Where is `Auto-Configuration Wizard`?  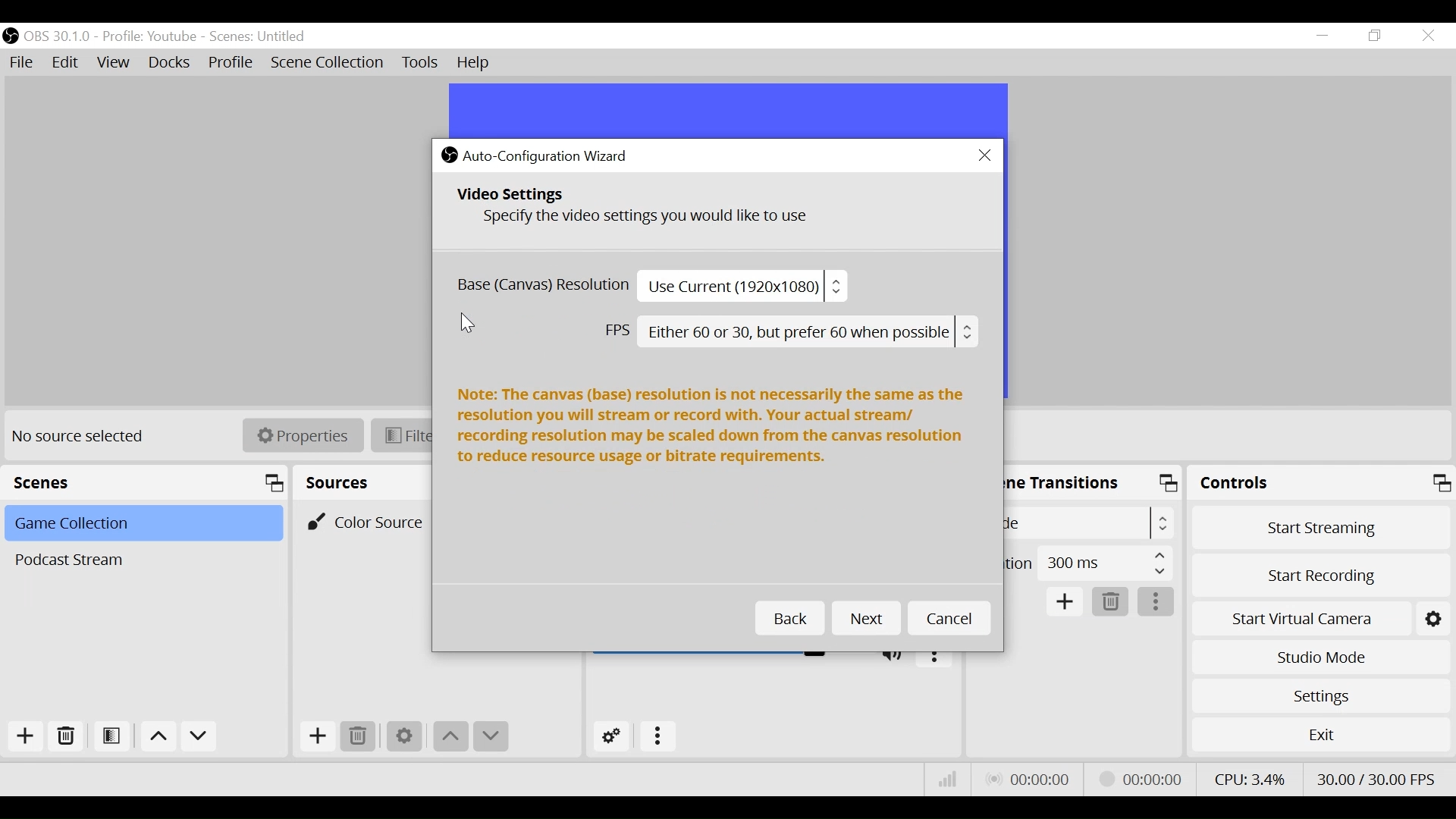
Auto-Configuration Wizard is located at coordinates (551, 155).